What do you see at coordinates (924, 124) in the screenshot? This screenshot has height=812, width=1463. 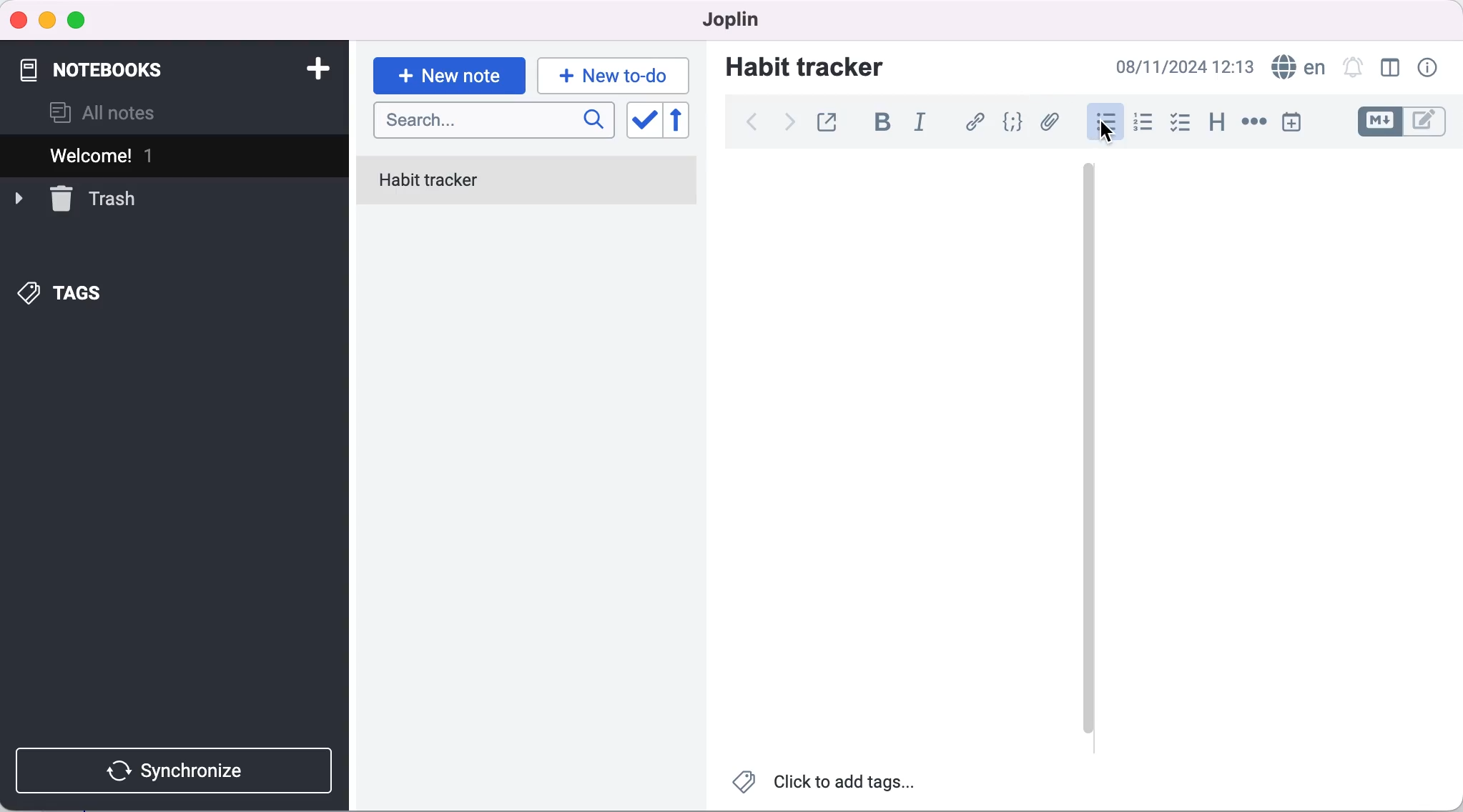 I see `italic` at bounding box center [924, 124].